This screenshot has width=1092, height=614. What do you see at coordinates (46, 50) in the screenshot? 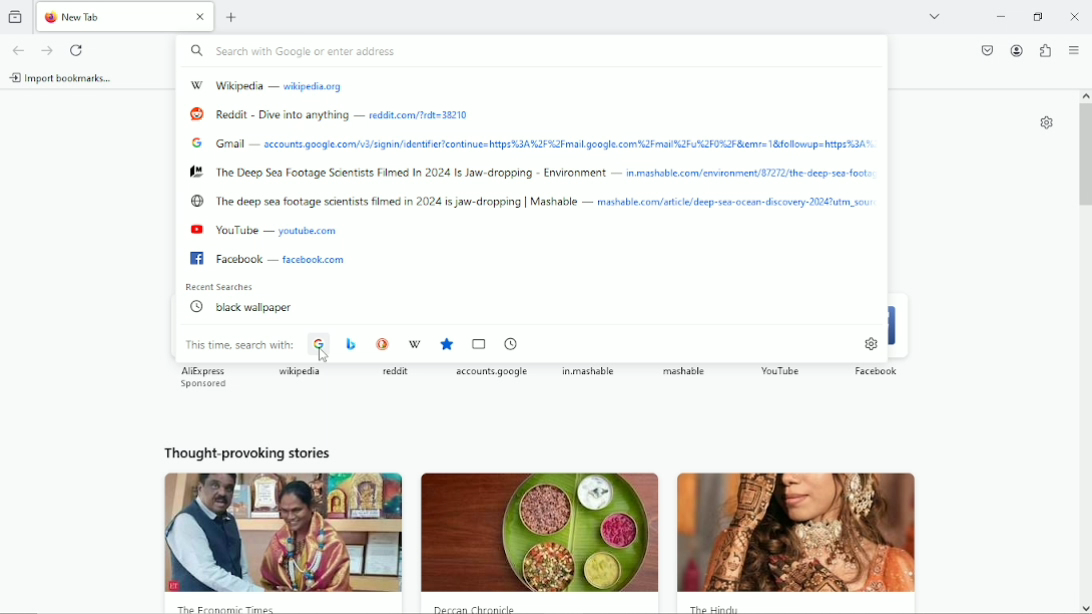
I see `go forward` at bounding box center [46, 50].